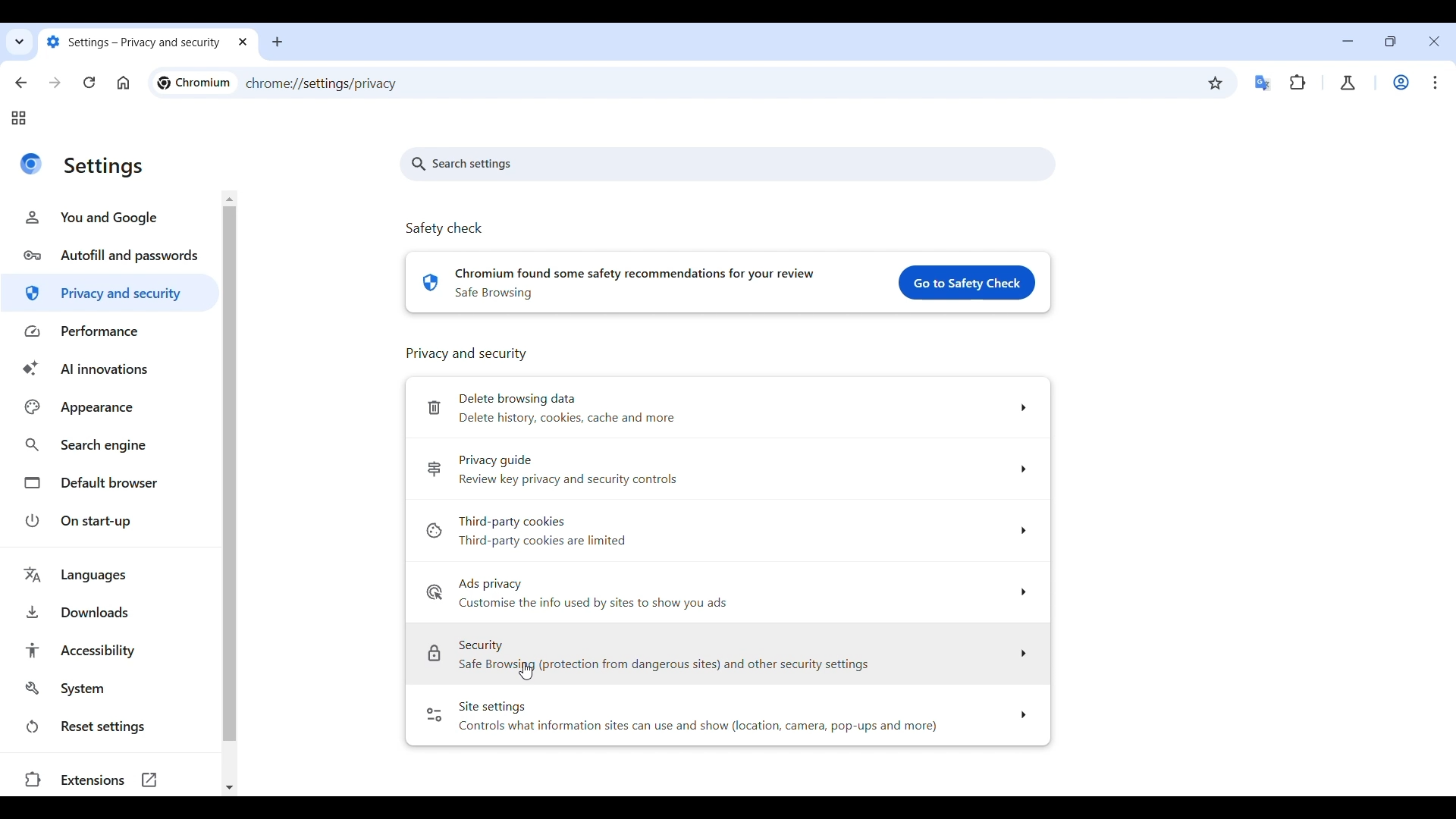 The width and height of the screenshot is (1456, 819). Describe the element at coordinates (322, 84) in the screenshot. I see `chrome://settings/privacy` at that location.